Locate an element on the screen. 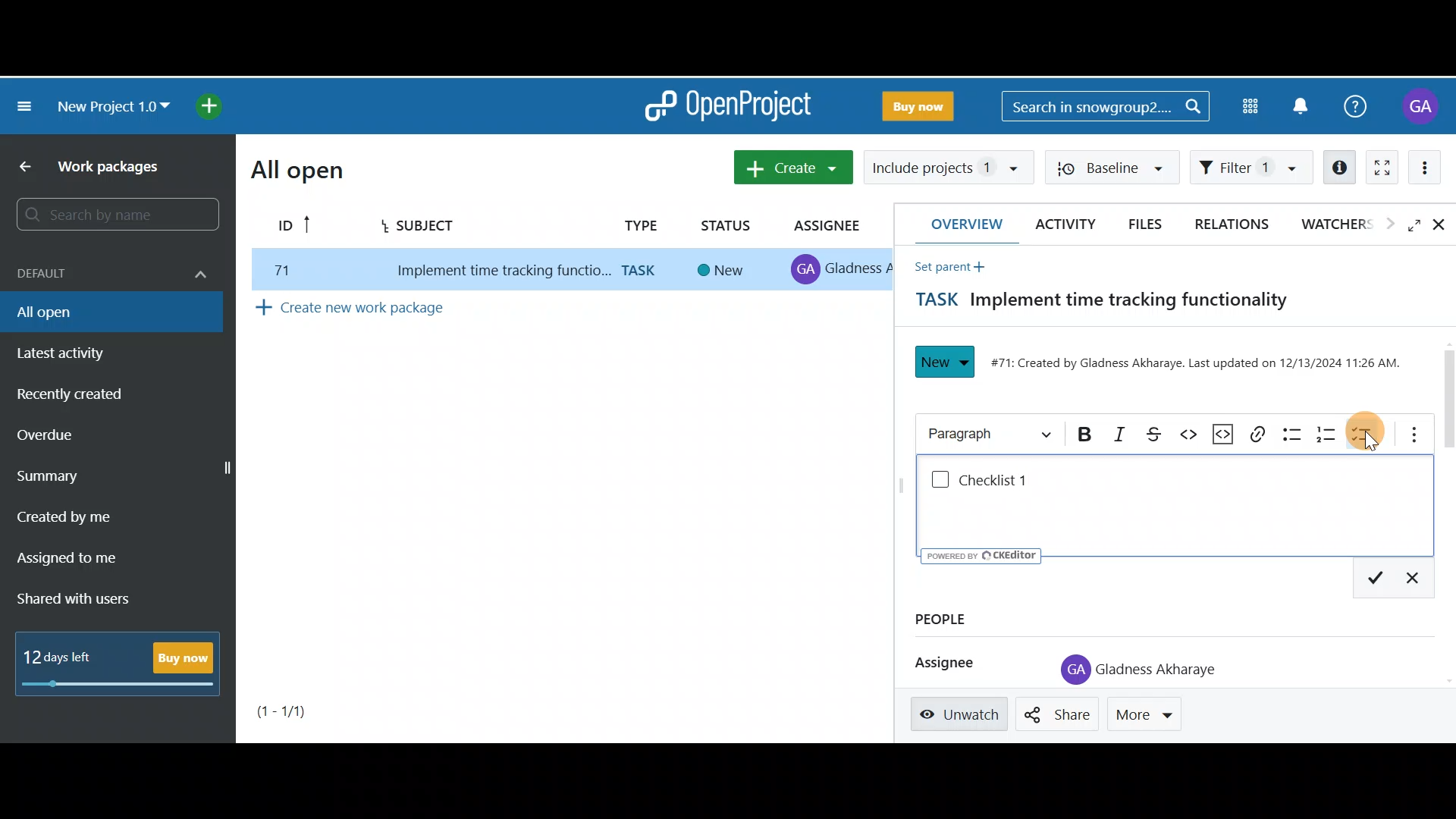  Buy now is located at coordinates (915, 108).